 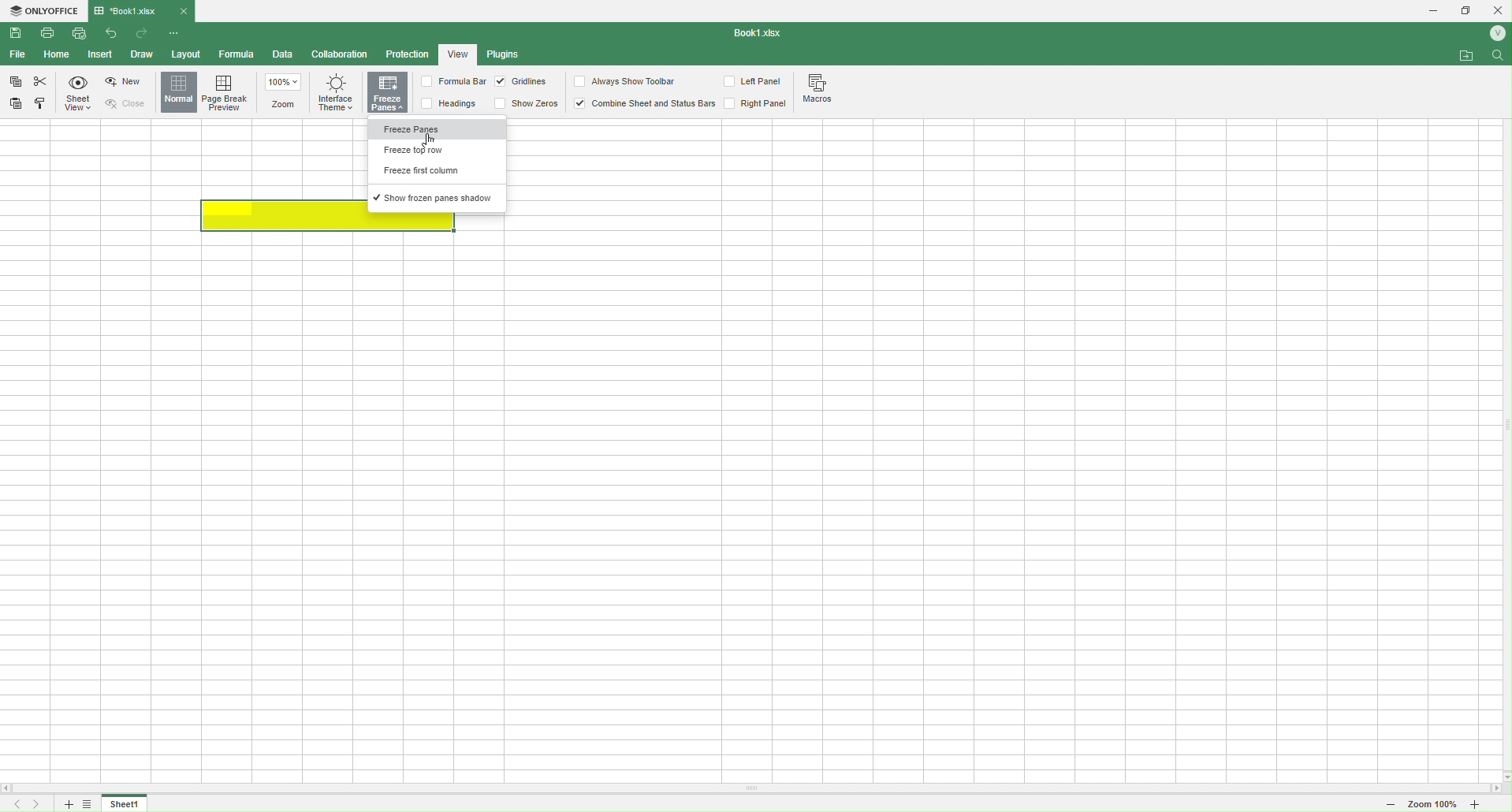 What do you see at coordinates (1489, 806) in the screenshot?
I see `Zoom in` at bounding box center [1489, 806].